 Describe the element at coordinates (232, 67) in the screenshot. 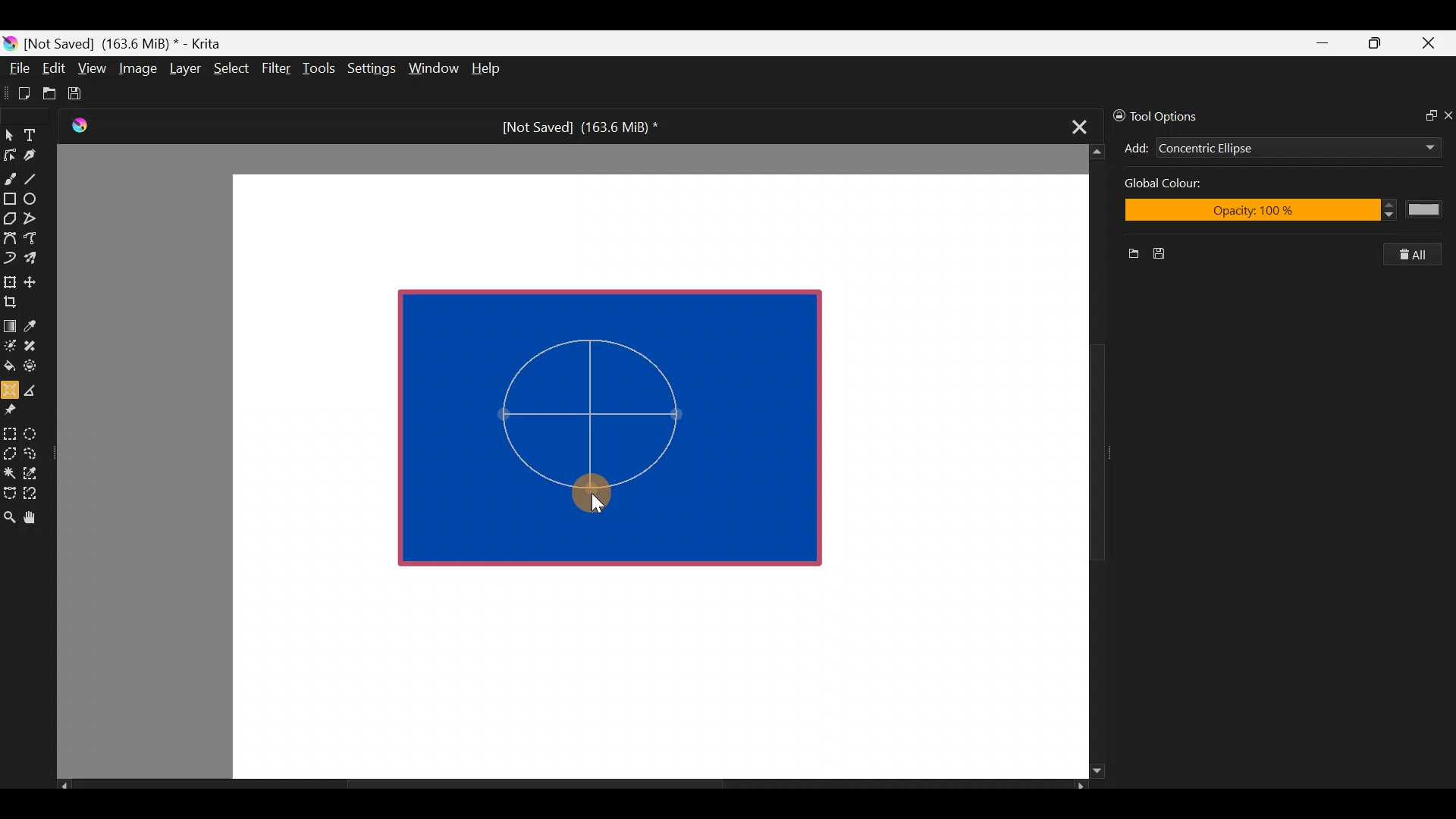

I see `Select` at that location.